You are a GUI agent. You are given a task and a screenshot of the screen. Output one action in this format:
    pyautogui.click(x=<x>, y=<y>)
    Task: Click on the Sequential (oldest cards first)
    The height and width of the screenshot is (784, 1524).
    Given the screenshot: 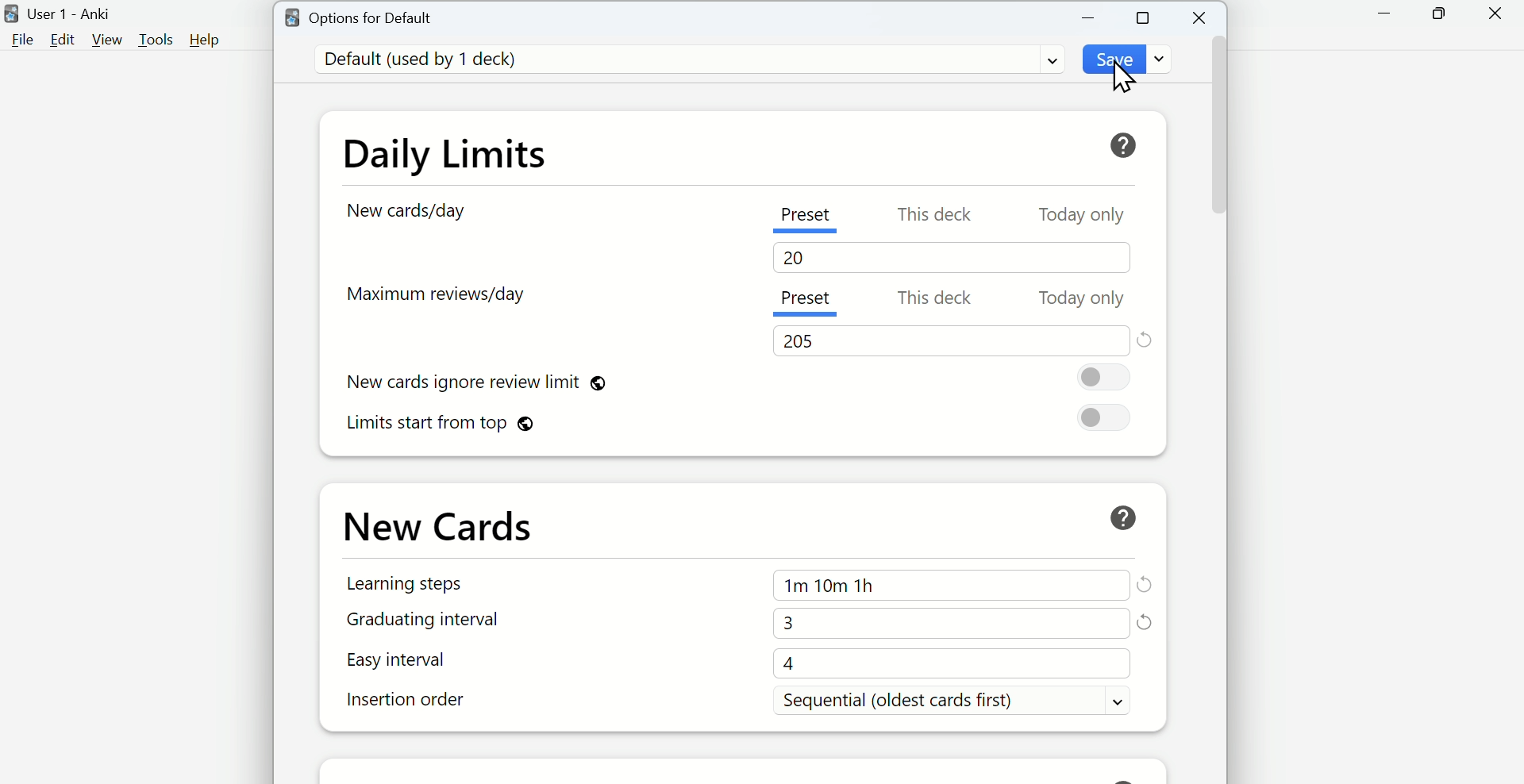 What is the action you would take?
    pyautogui.click(x=953, y=702)
    